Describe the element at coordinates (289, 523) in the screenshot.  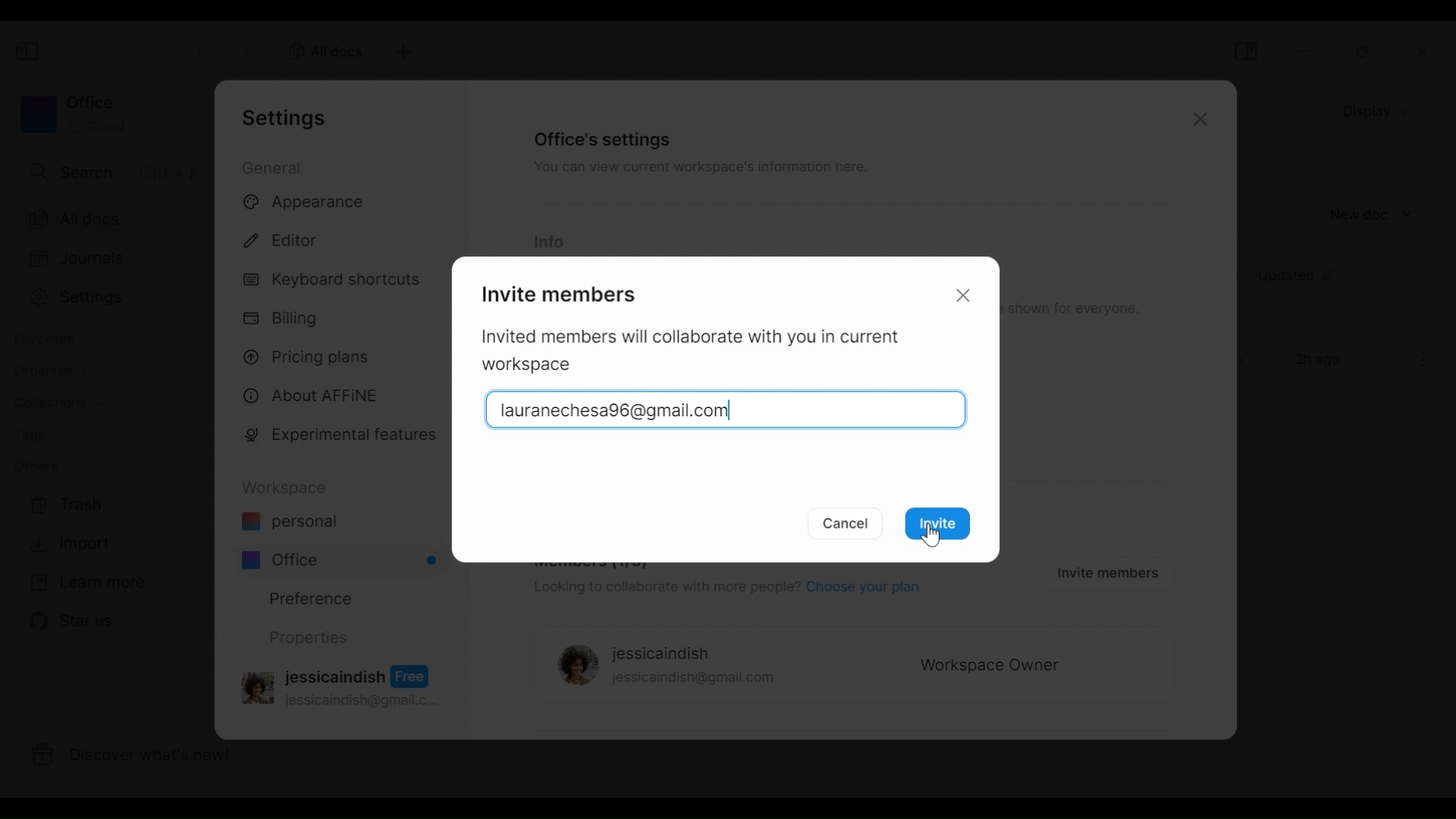
I see `personal` at that location.